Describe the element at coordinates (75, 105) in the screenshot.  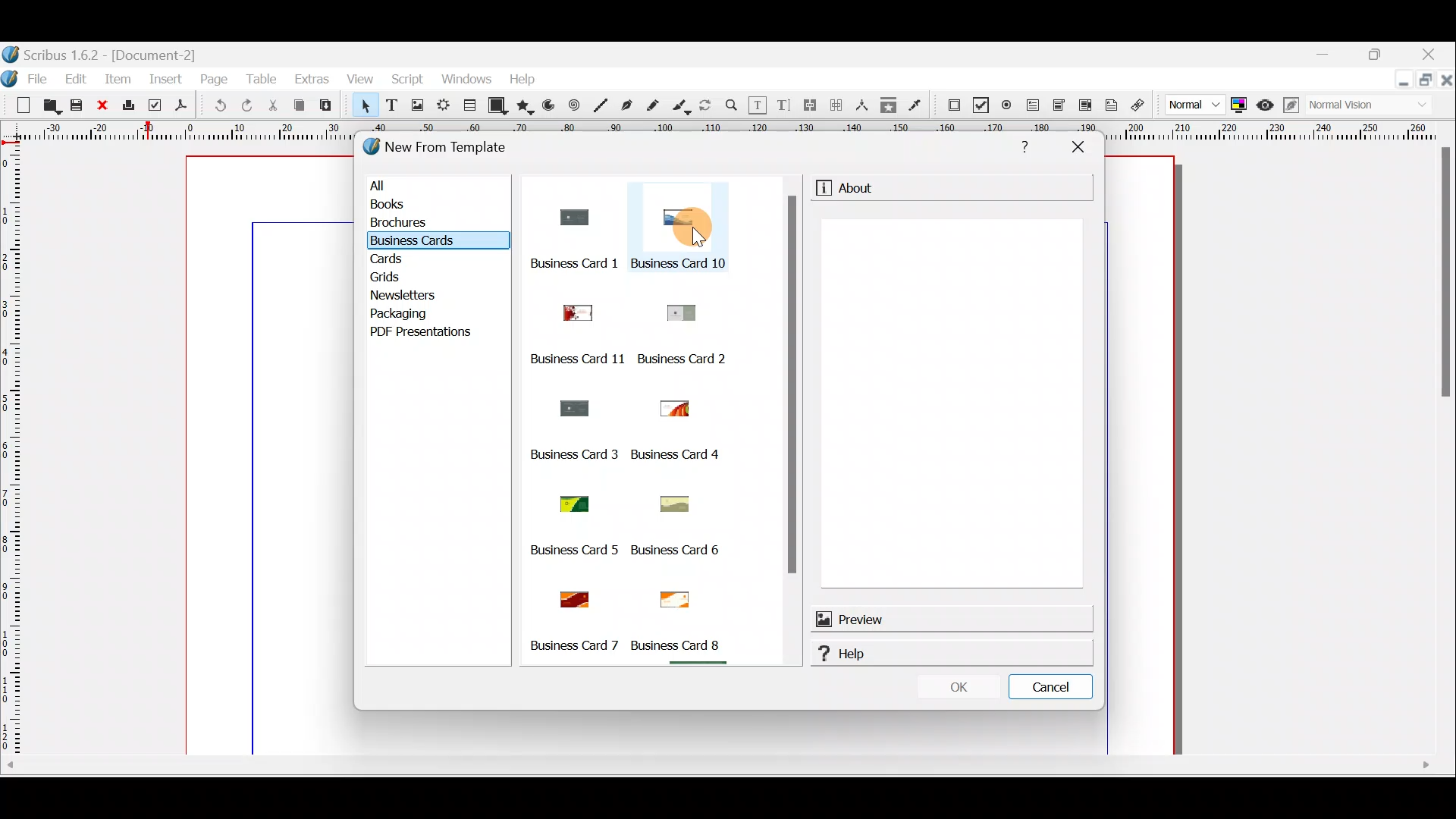
I see `Save` at that location.